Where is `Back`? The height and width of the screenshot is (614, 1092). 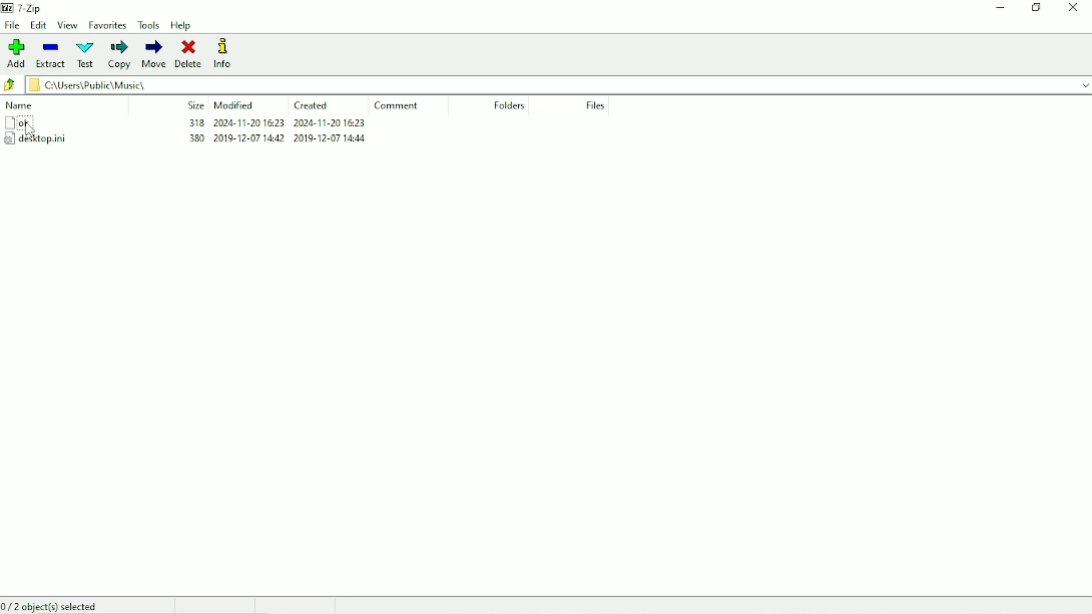
Back is located at coordinates (10, 84).